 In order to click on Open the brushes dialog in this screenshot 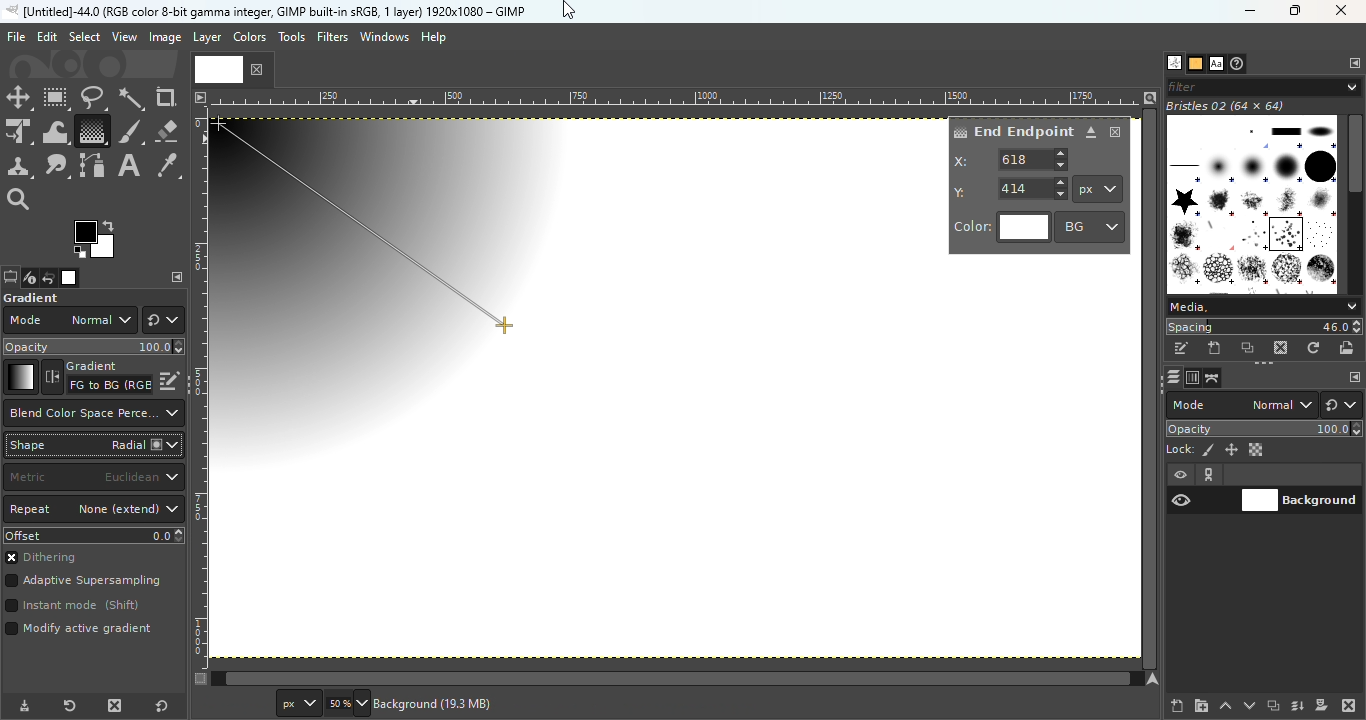, I will do `click(1174, 62)`.